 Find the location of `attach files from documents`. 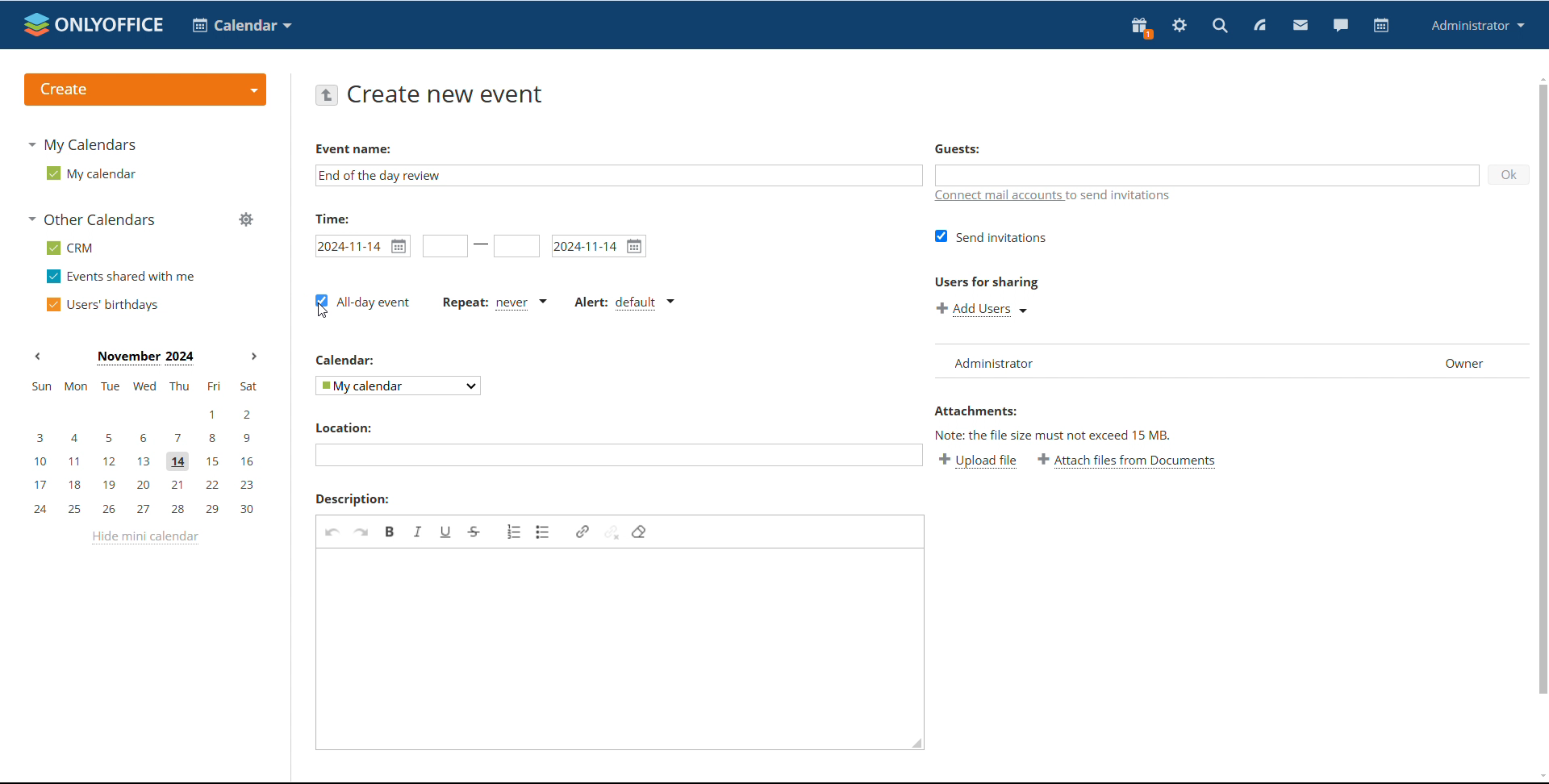

attach files from documents is located at coordinates (1128, 461).